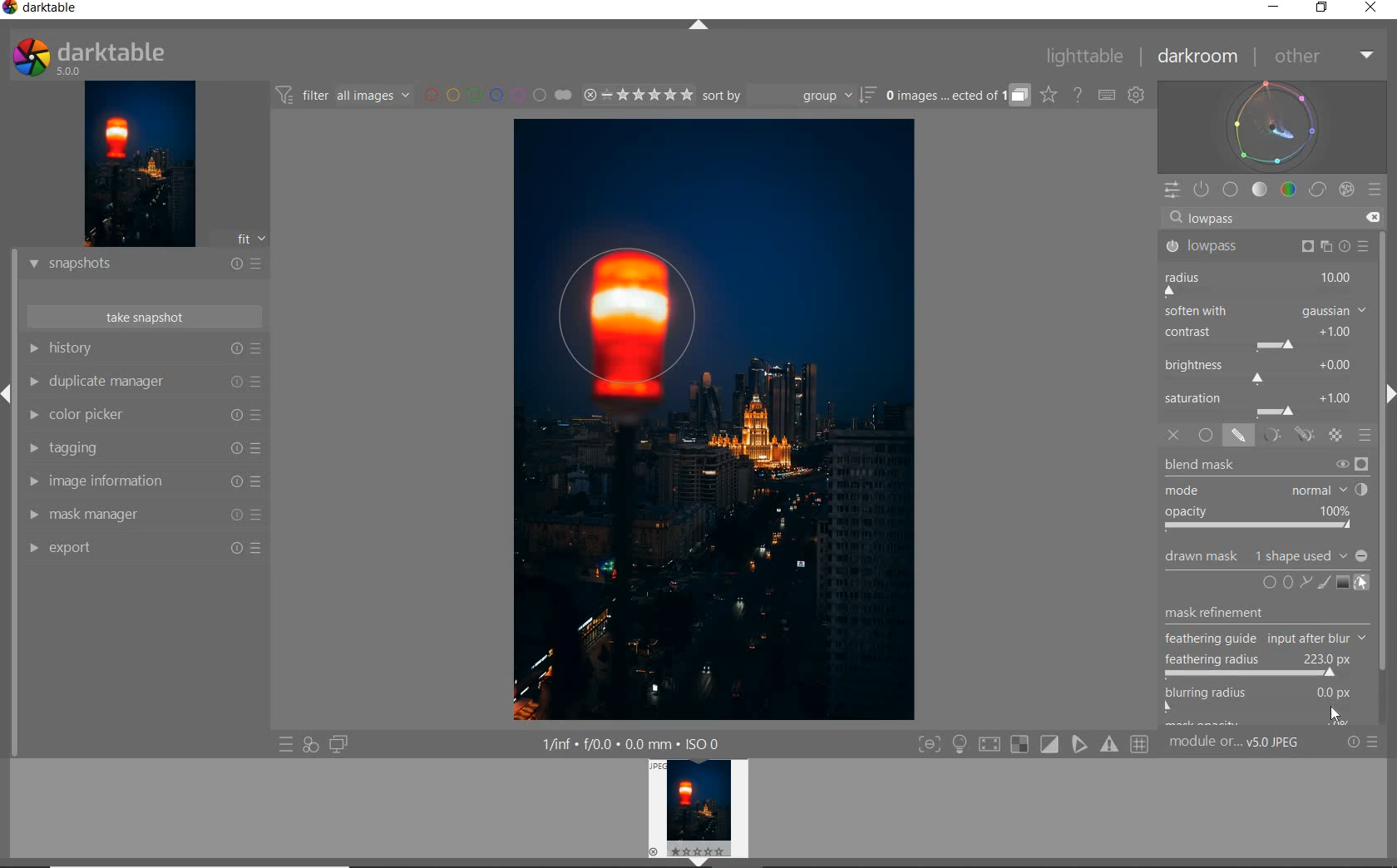 The height and width of the screenshot is (868, 1397). What do you see at coordinates (1284, 581) in the screenshot?
I see `ADD CIRCLE, ELLIPSE OR PATH` at bounding box center [1284, 581].